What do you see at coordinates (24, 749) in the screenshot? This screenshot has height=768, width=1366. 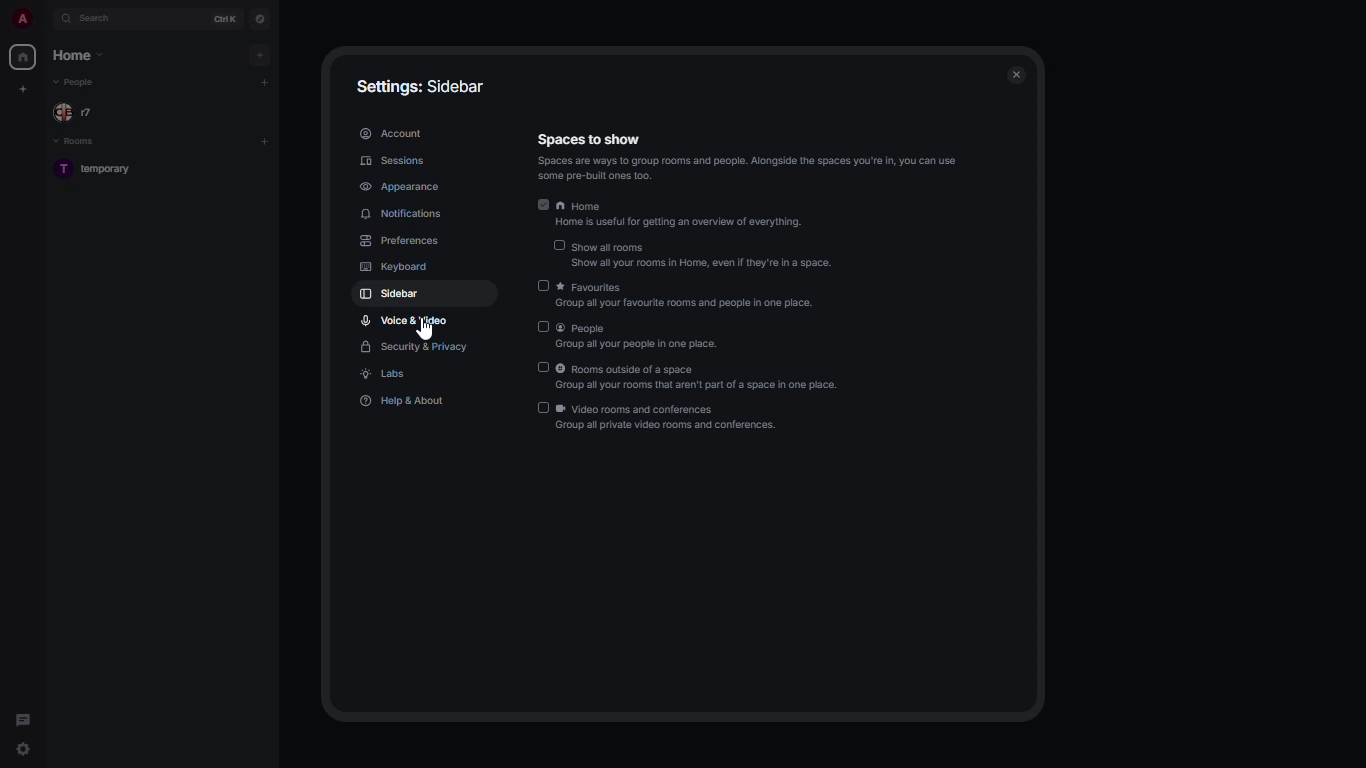 I see `quick settings` at bounding box center [24, 749].